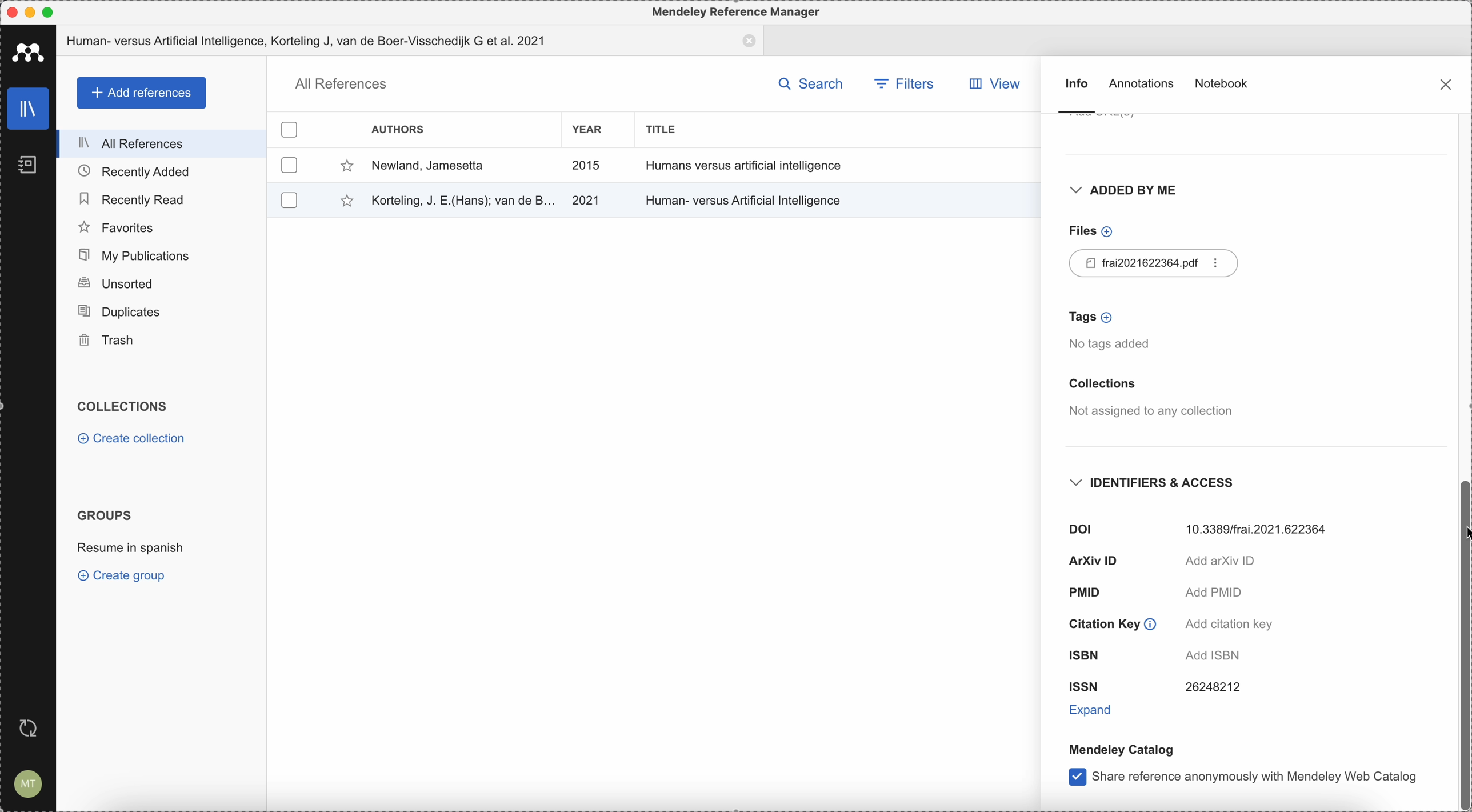 The height and width of the screenshot is (812, 1472). What do you see at coordinates (162, 143) in the screenshot?
I see `all references` at bounding box center [162, 143].